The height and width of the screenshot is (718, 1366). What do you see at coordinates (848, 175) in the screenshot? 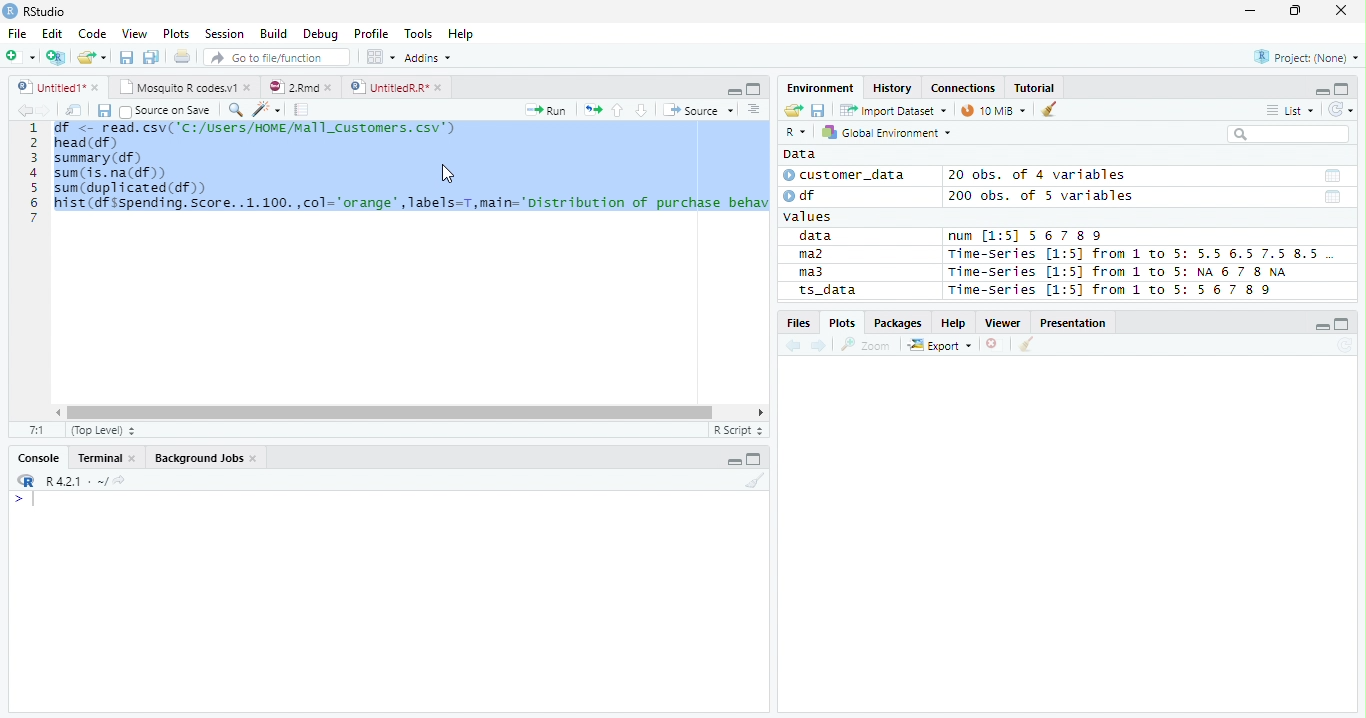
I see `customer_data` at bounding box center [848, 175].